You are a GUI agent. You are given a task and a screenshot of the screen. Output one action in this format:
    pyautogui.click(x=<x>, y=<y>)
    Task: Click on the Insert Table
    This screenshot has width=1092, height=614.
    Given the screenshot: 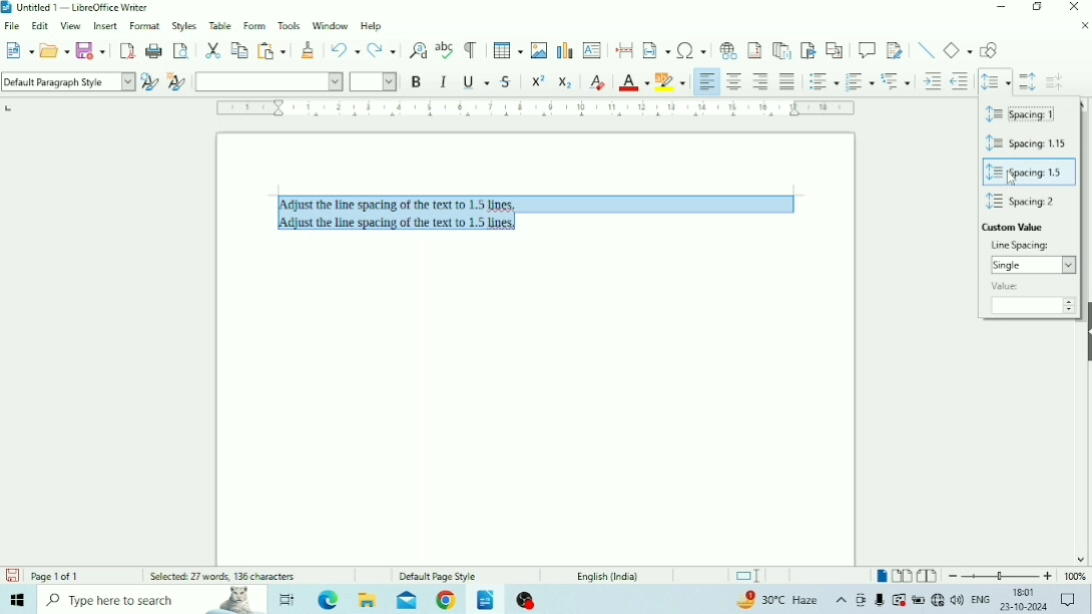 What is the action you would take?
    pyautogui.click(x=508, y=49)
    